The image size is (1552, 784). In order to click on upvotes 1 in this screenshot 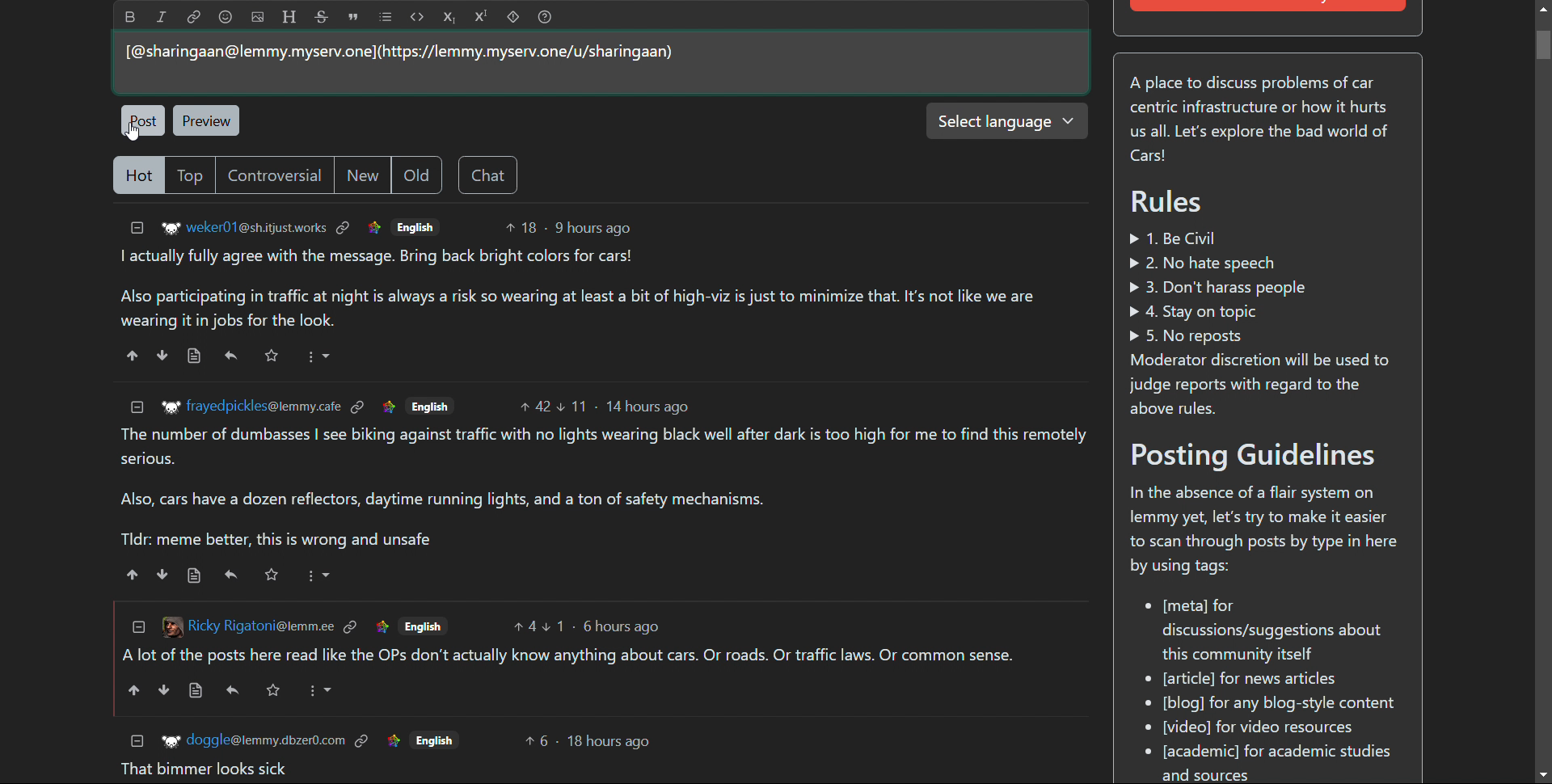, I will do `click(555, 626)`.